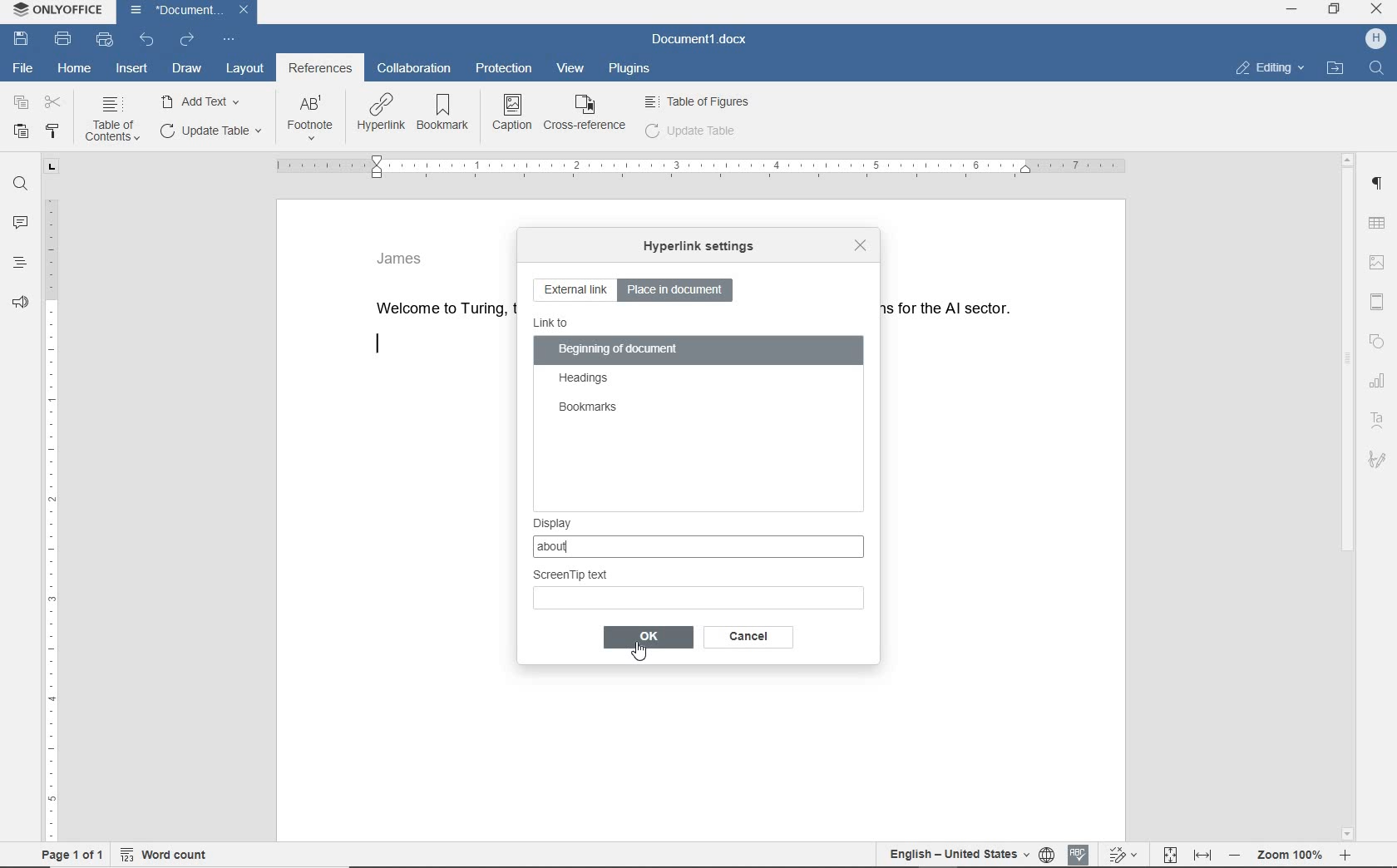 Image resolution: width=1397 pixels, height=868 pixels. Describe the element at coordinates (585, 112) in the screenshot. I see `CROSS REFERENCE` at that location.